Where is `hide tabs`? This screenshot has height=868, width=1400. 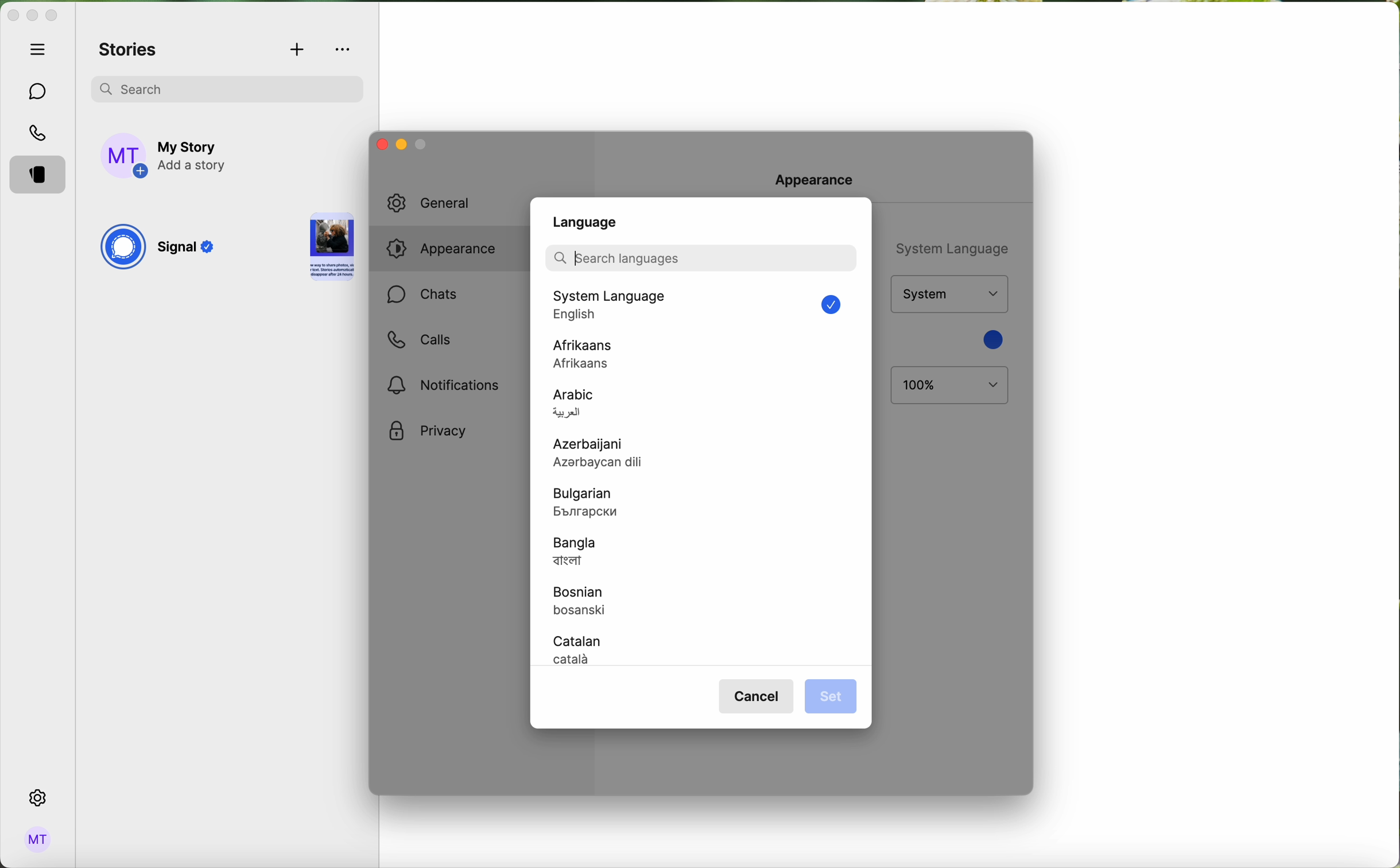 hide tabs is located at coordinates (41, 49).